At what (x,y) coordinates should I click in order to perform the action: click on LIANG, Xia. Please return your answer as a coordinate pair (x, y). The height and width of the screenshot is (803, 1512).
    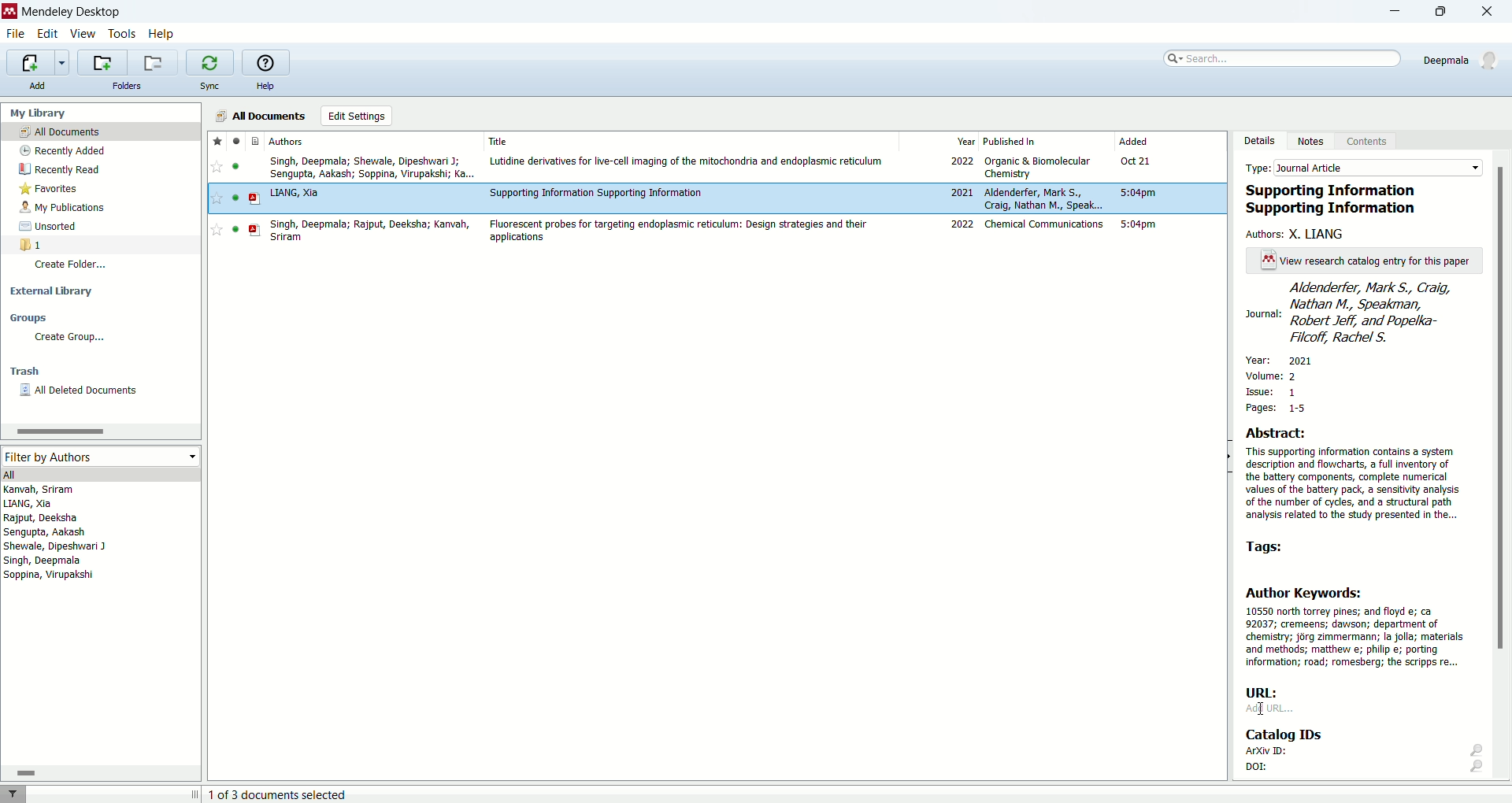
    Looking at the image, I should click on (295, 194).